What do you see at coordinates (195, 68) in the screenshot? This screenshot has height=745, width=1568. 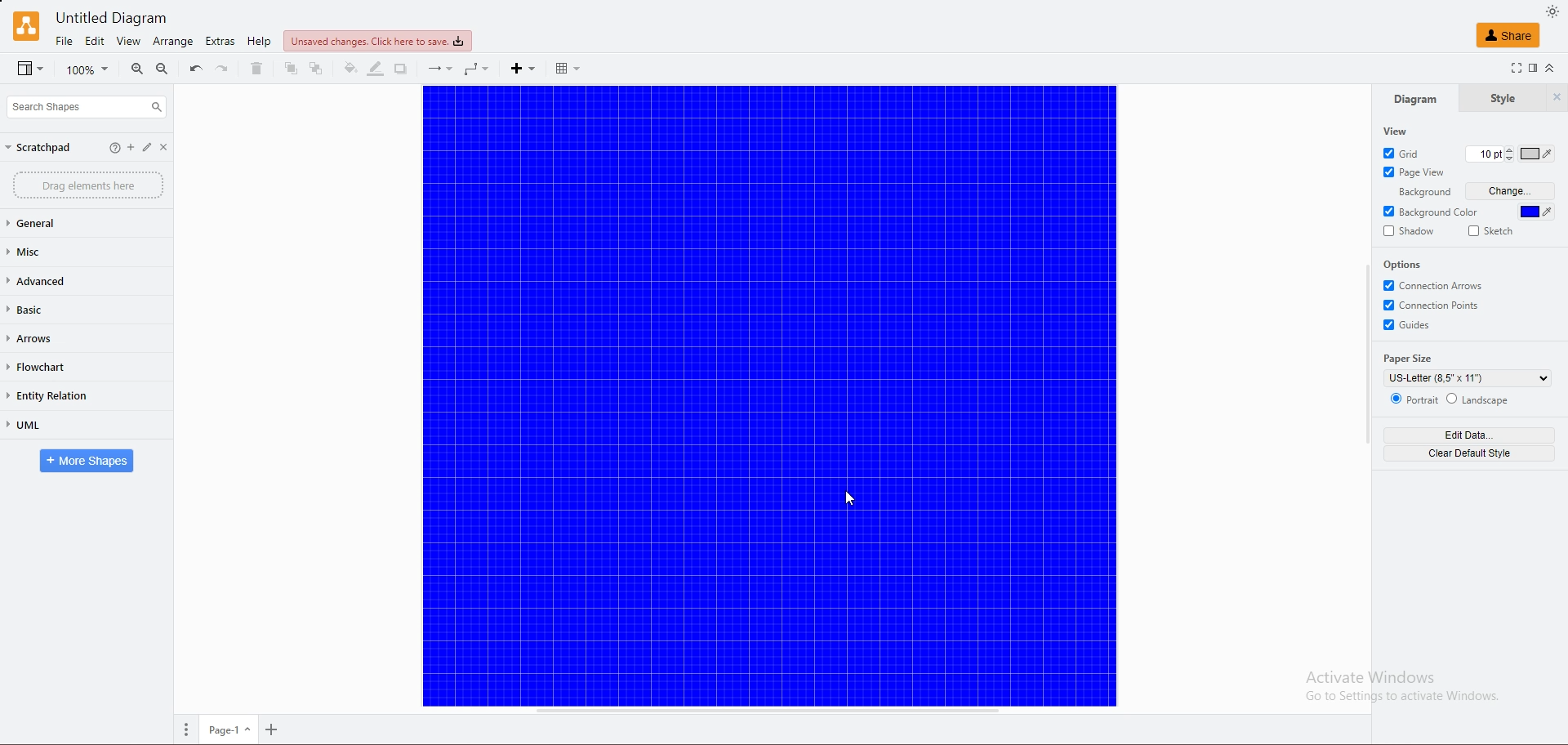 I see `undo` at bounding box center [195, 68].